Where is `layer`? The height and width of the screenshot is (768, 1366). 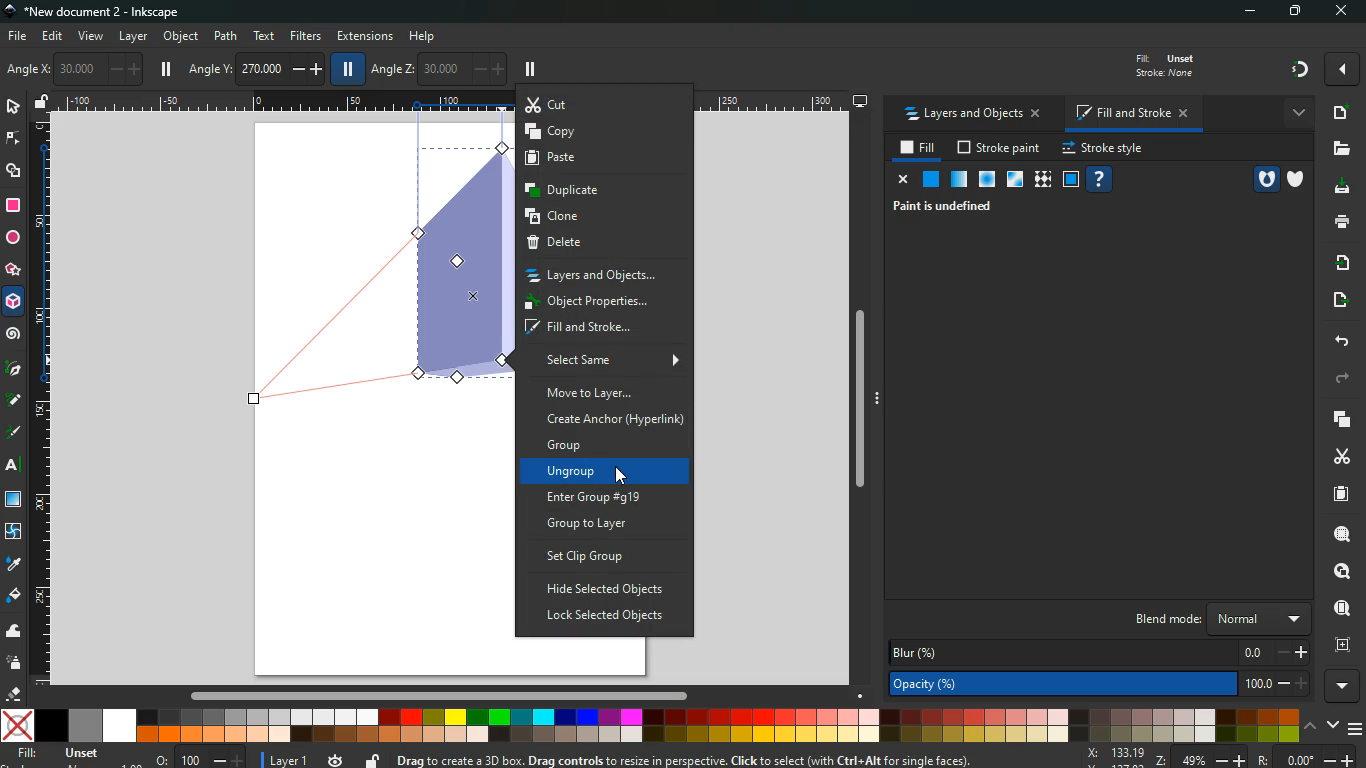
layer is located at coordinates (134, 37).